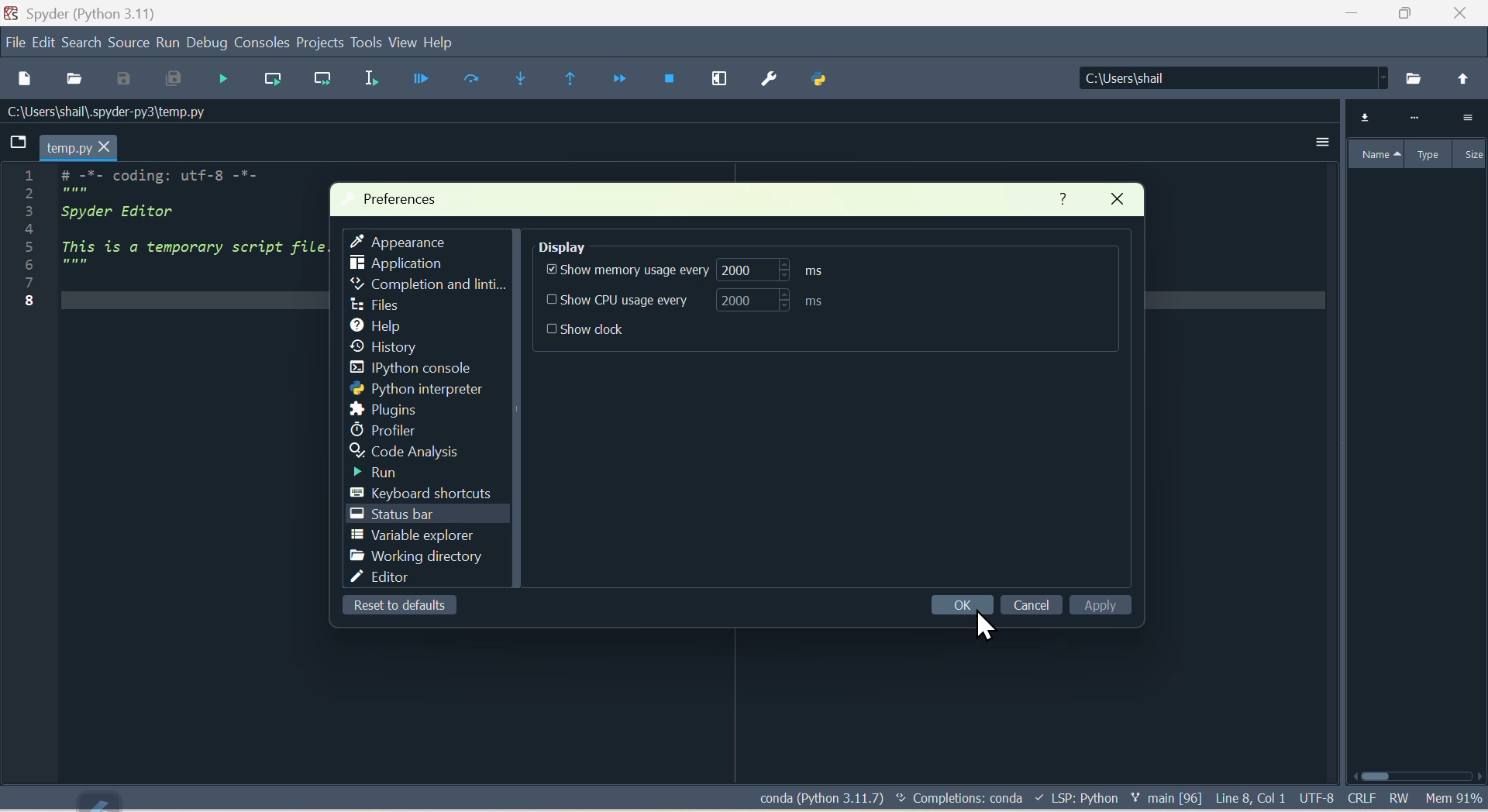 Image resolution: width=1488 pixels, height=812 pixels. I want to click on , so click(45, 40).